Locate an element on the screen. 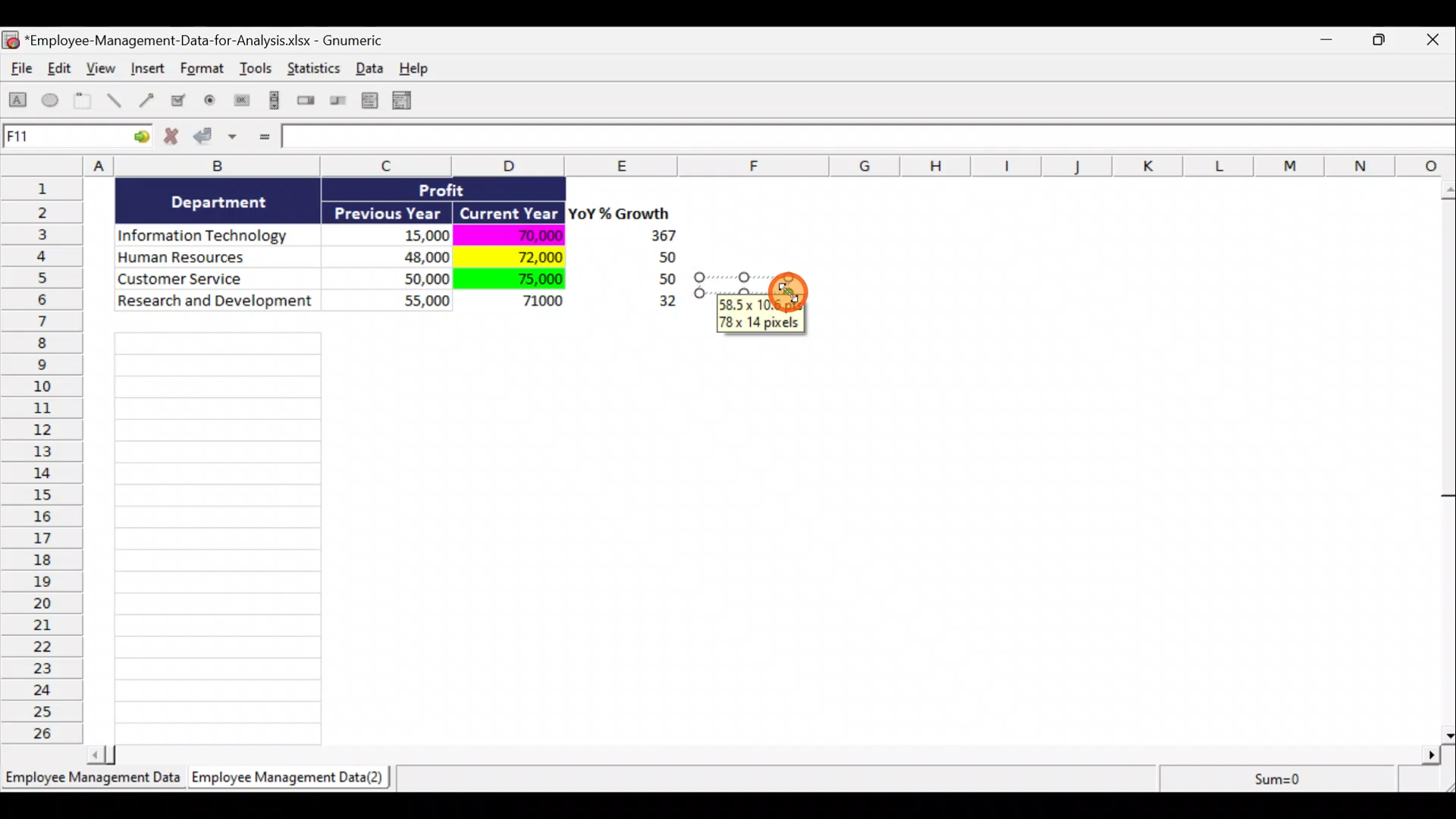 Image resolution: width=1456 pixels, height=819 pixels. Scroll bar is located at coordinates (769, 752).